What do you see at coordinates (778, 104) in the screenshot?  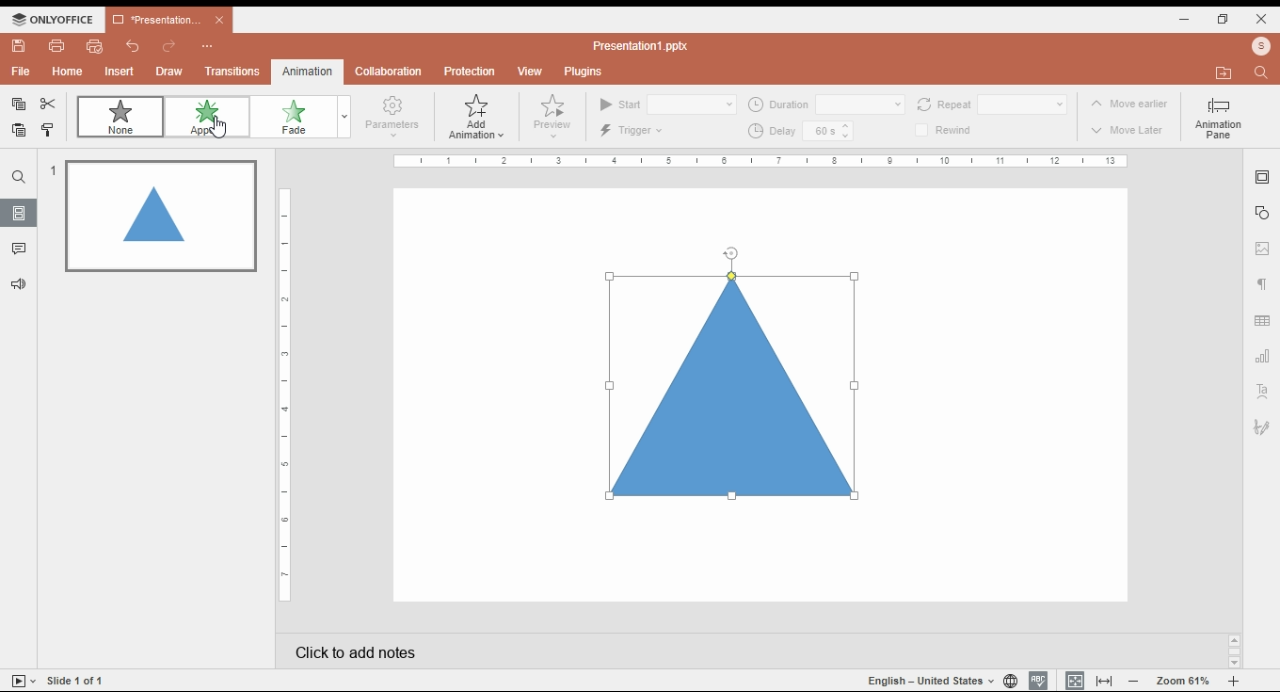 I see `duration` at bounding box center [778, 104].